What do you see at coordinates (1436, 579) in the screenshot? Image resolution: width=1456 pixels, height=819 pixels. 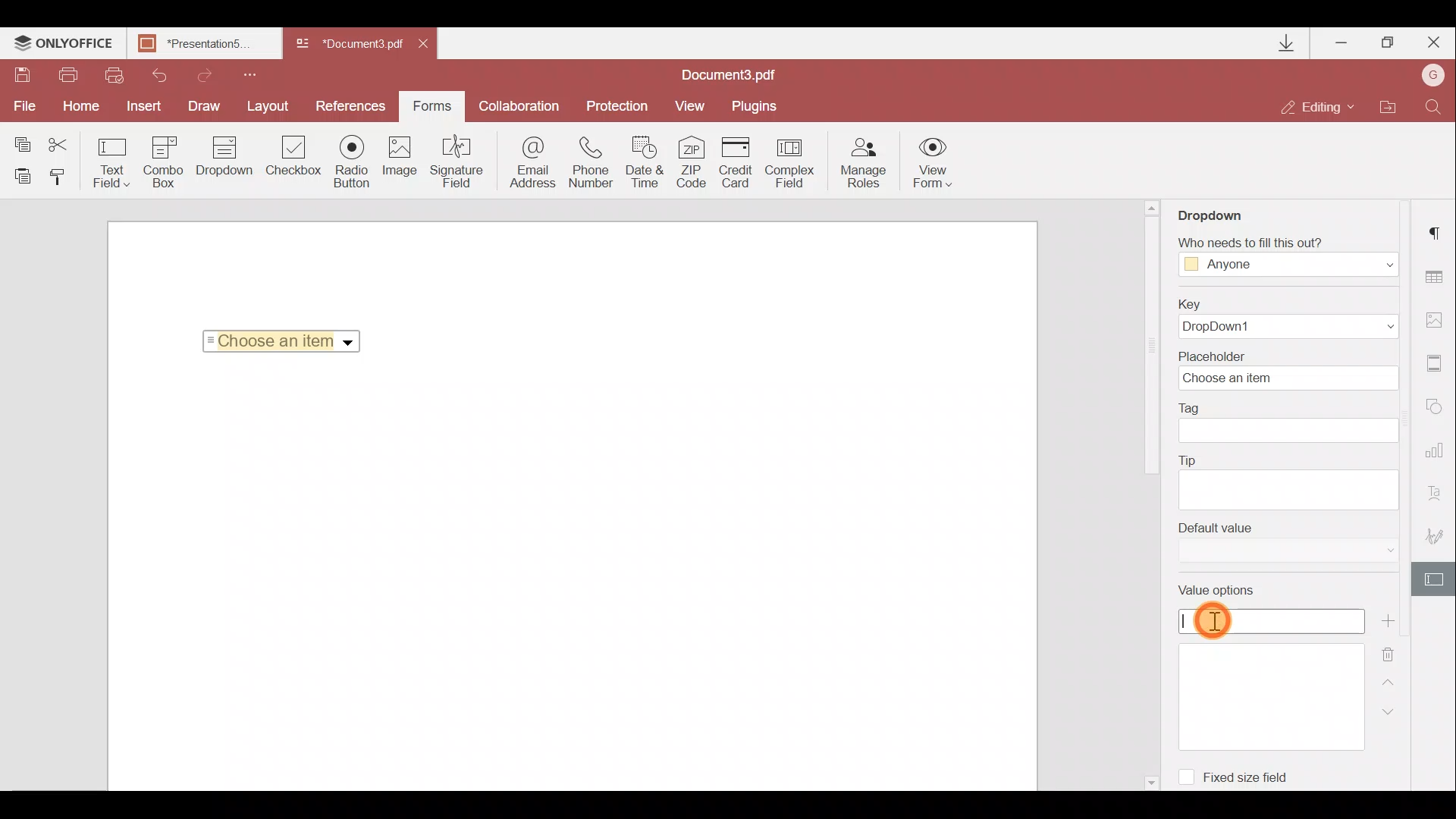 I see `Form settings` at bounding box center [1436, 579].